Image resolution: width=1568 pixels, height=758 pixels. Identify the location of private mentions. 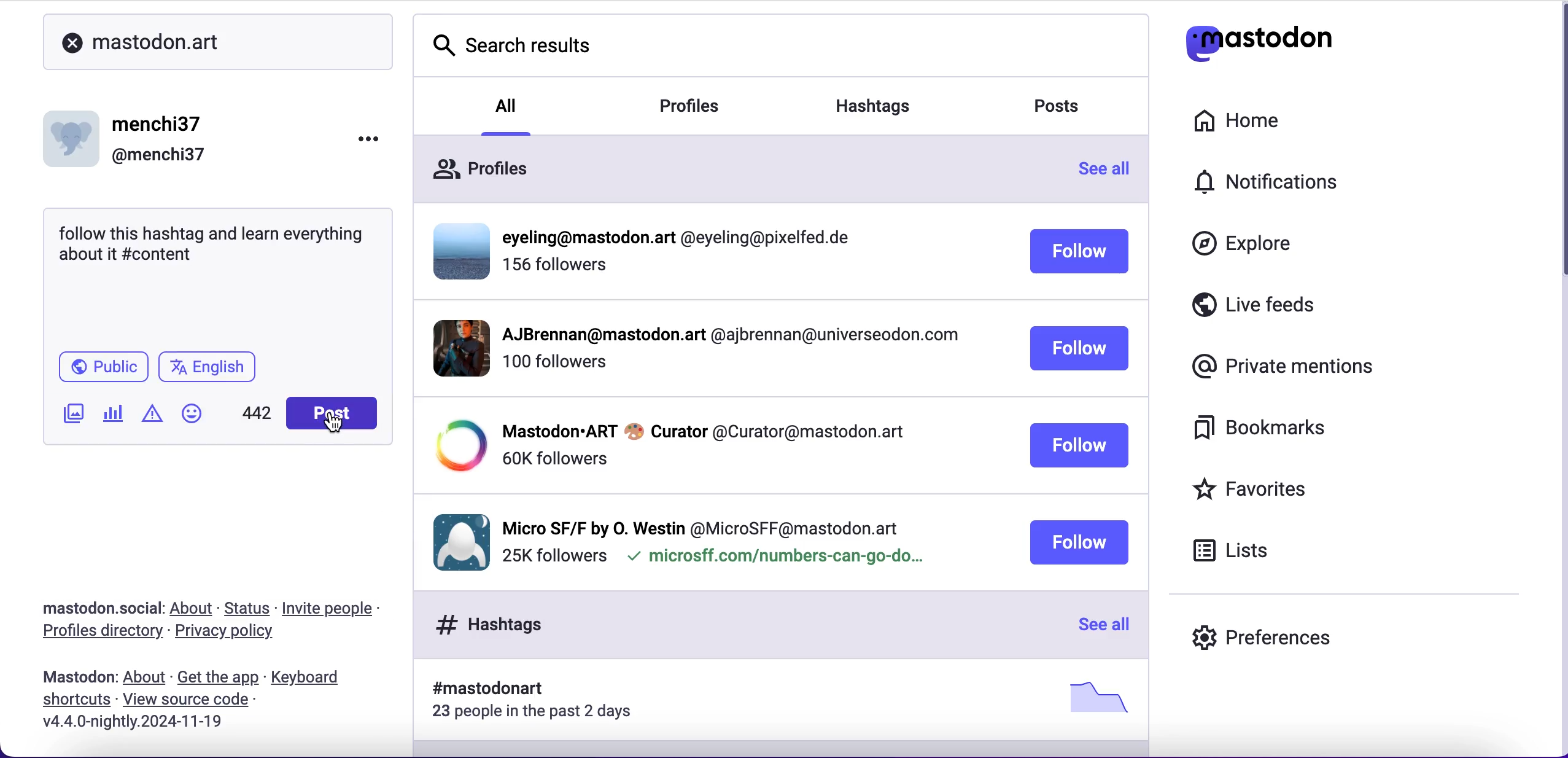
(1278, 367).